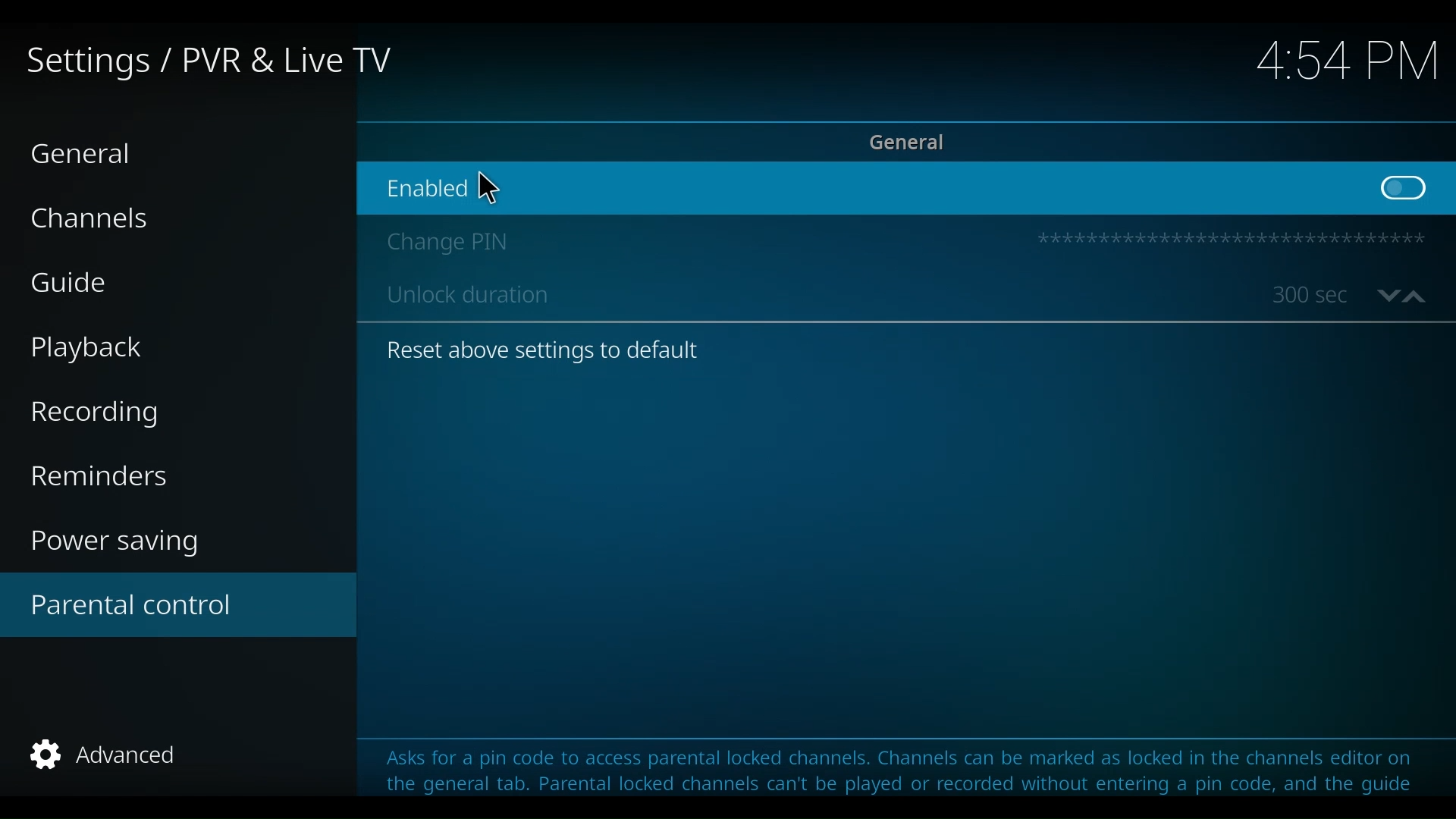 The height and width of the screenshot is (819, 1456). What do you see at coordinates (1385, 297) in the screenshot?
I see `Go down` at bounding box center [1385, 297].